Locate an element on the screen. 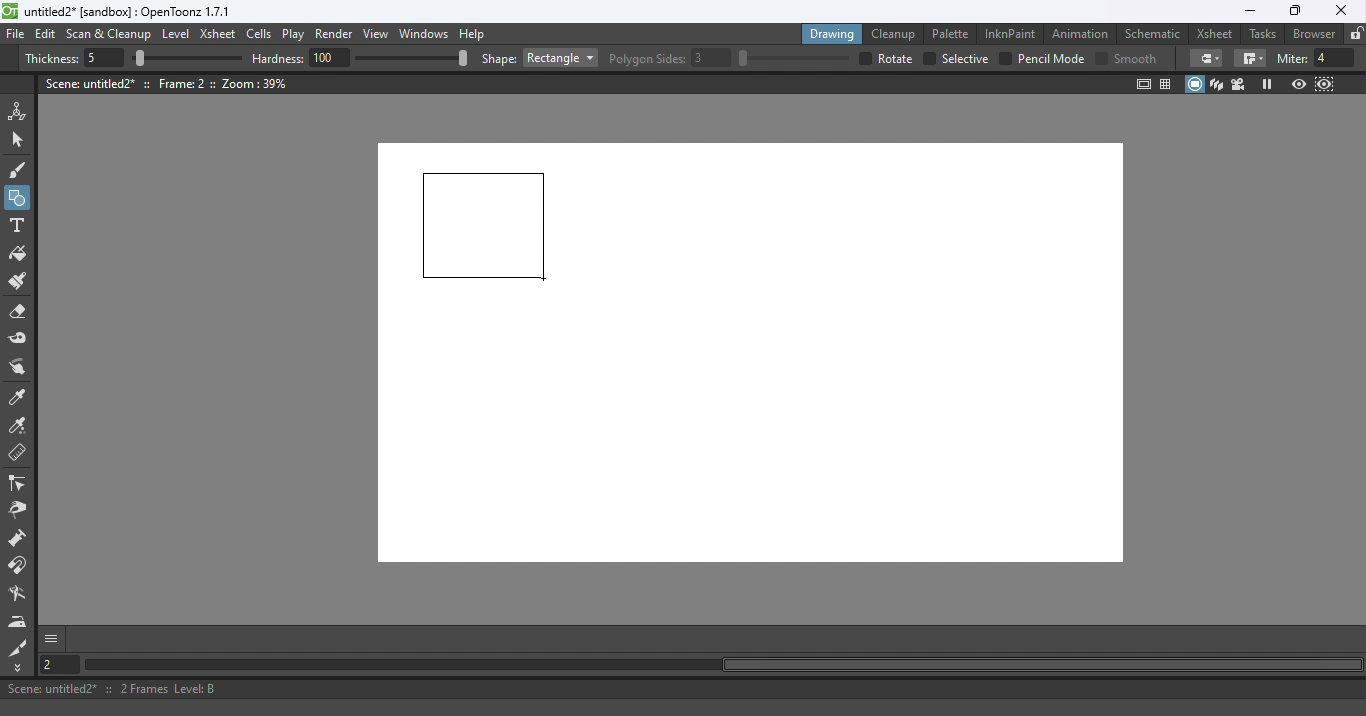 The height and width of the screenshot is (716, 1366). slider is located at coordinates (187, 59).